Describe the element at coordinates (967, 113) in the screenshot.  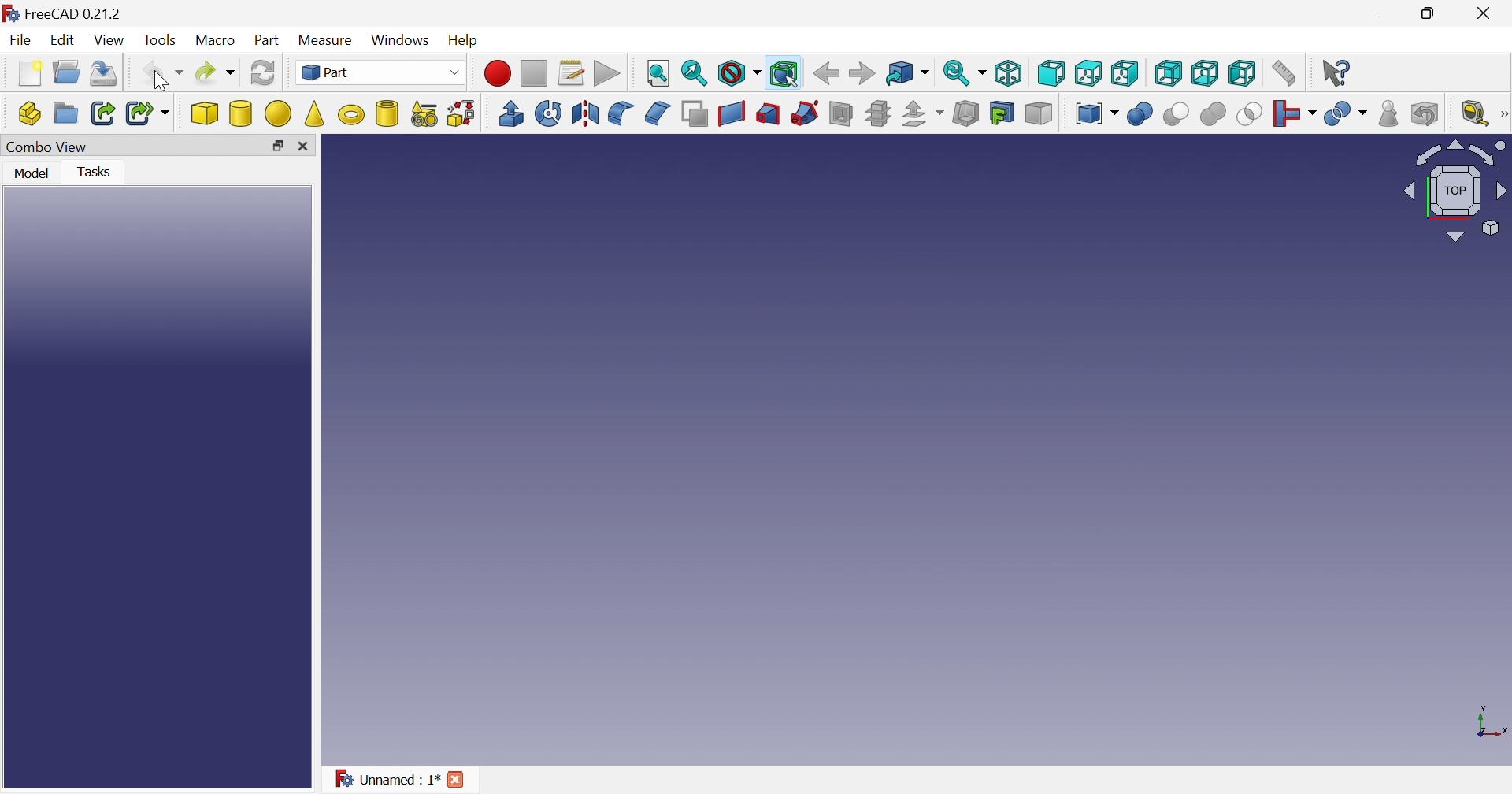
I see `Thickness` at that location.